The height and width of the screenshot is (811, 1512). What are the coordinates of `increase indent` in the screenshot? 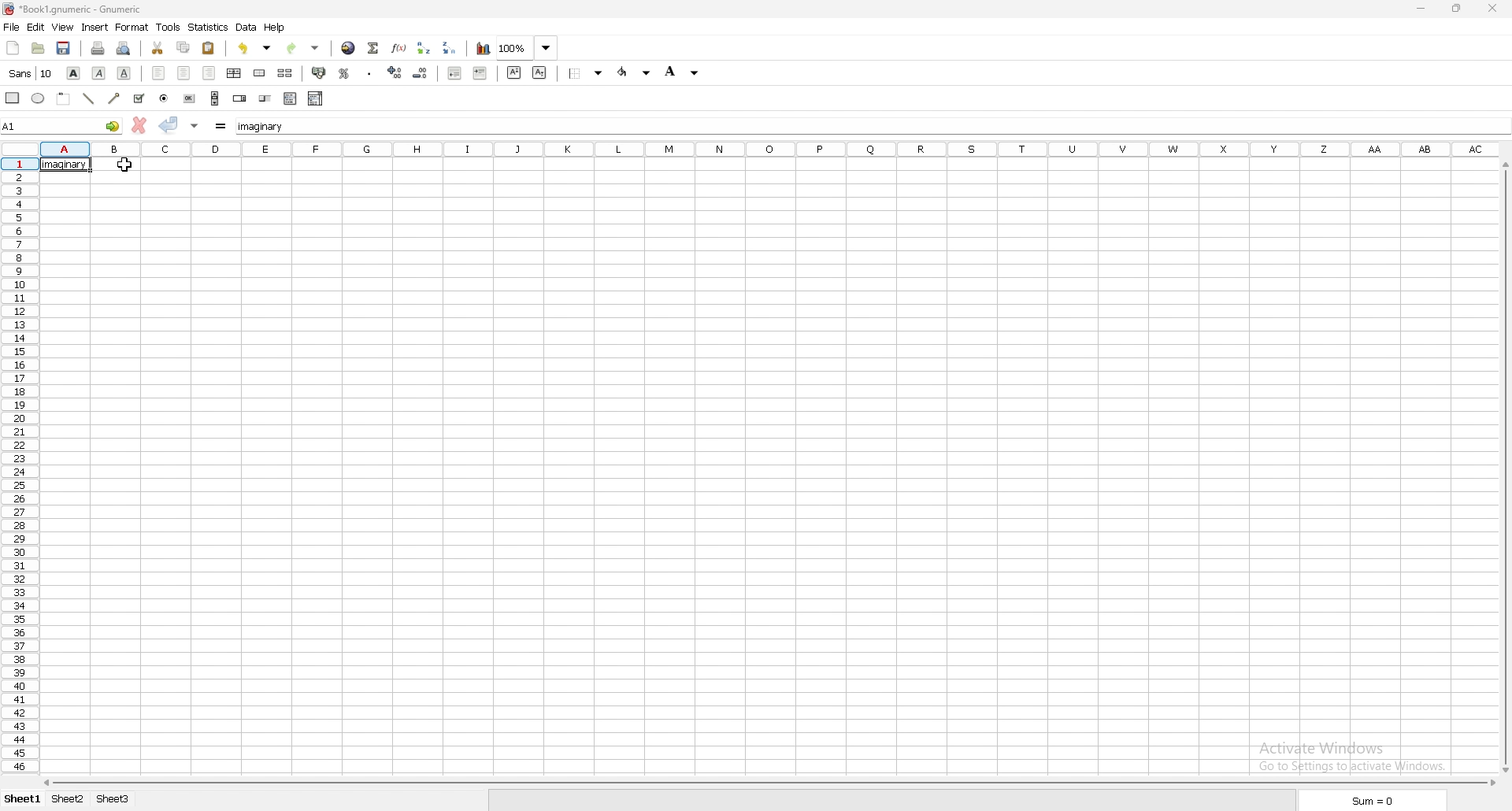 It's located at (480, 73).